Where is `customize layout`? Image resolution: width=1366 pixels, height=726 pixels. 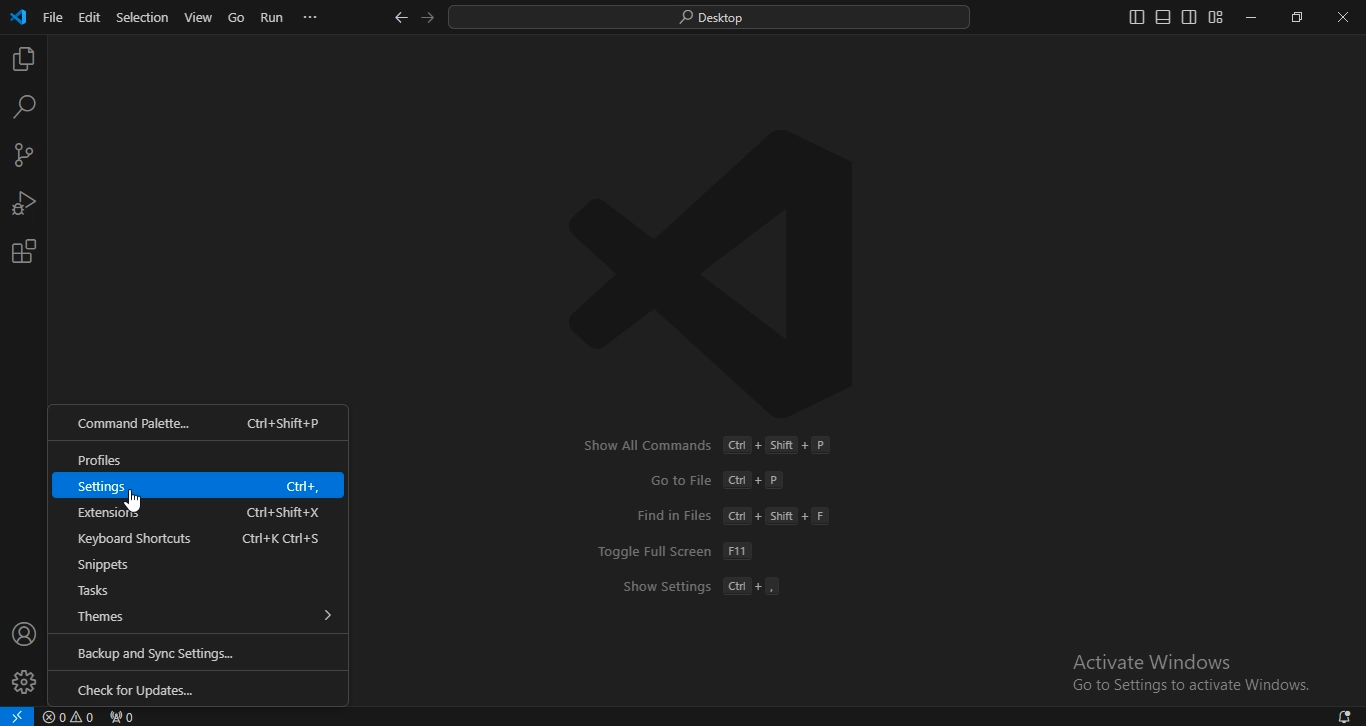
customize layout is located at coordinates (1217, 16).